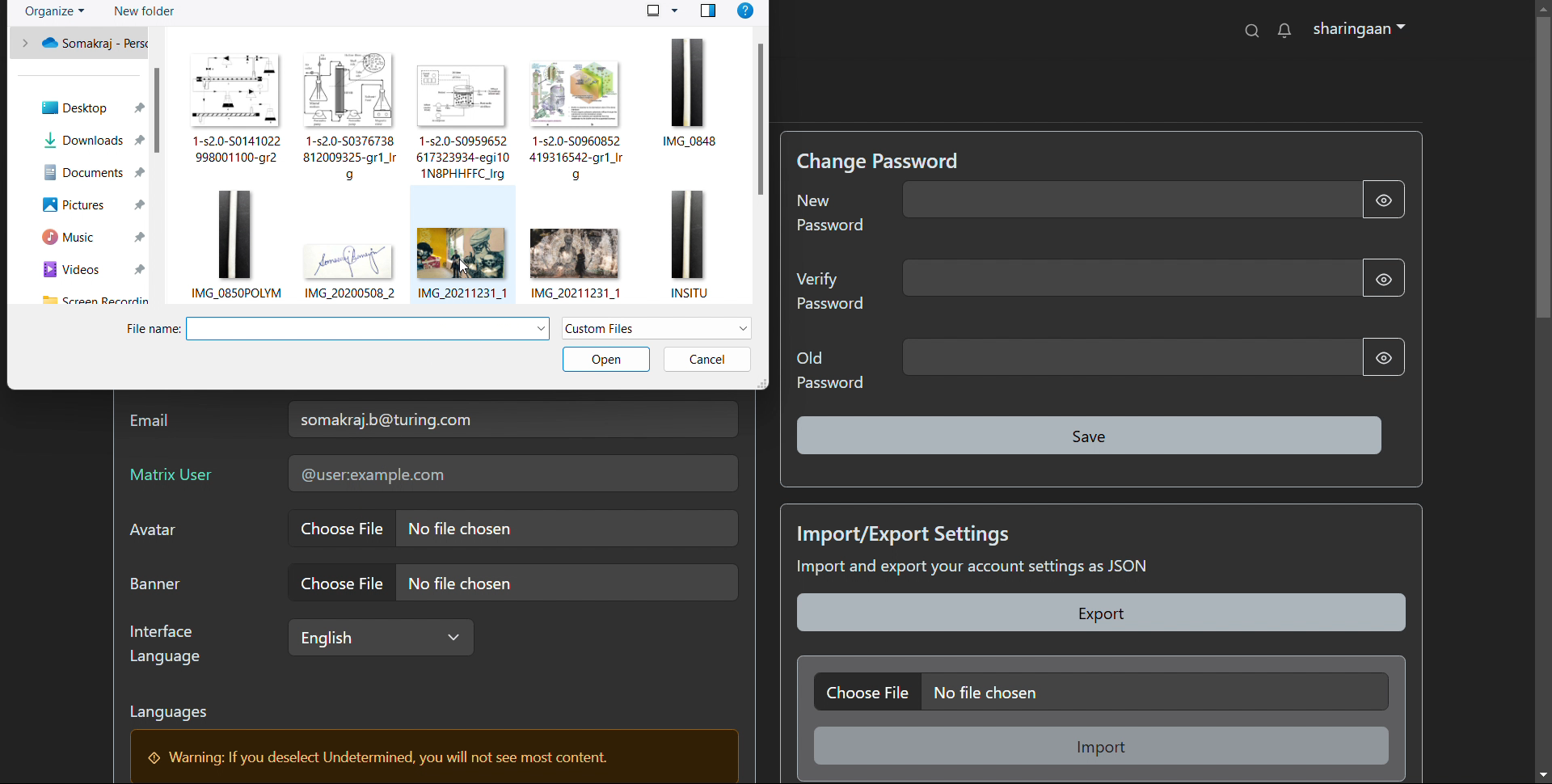 The height and width of the screenshot is (784, 1552). I want to click on file type, so click(657, 328).